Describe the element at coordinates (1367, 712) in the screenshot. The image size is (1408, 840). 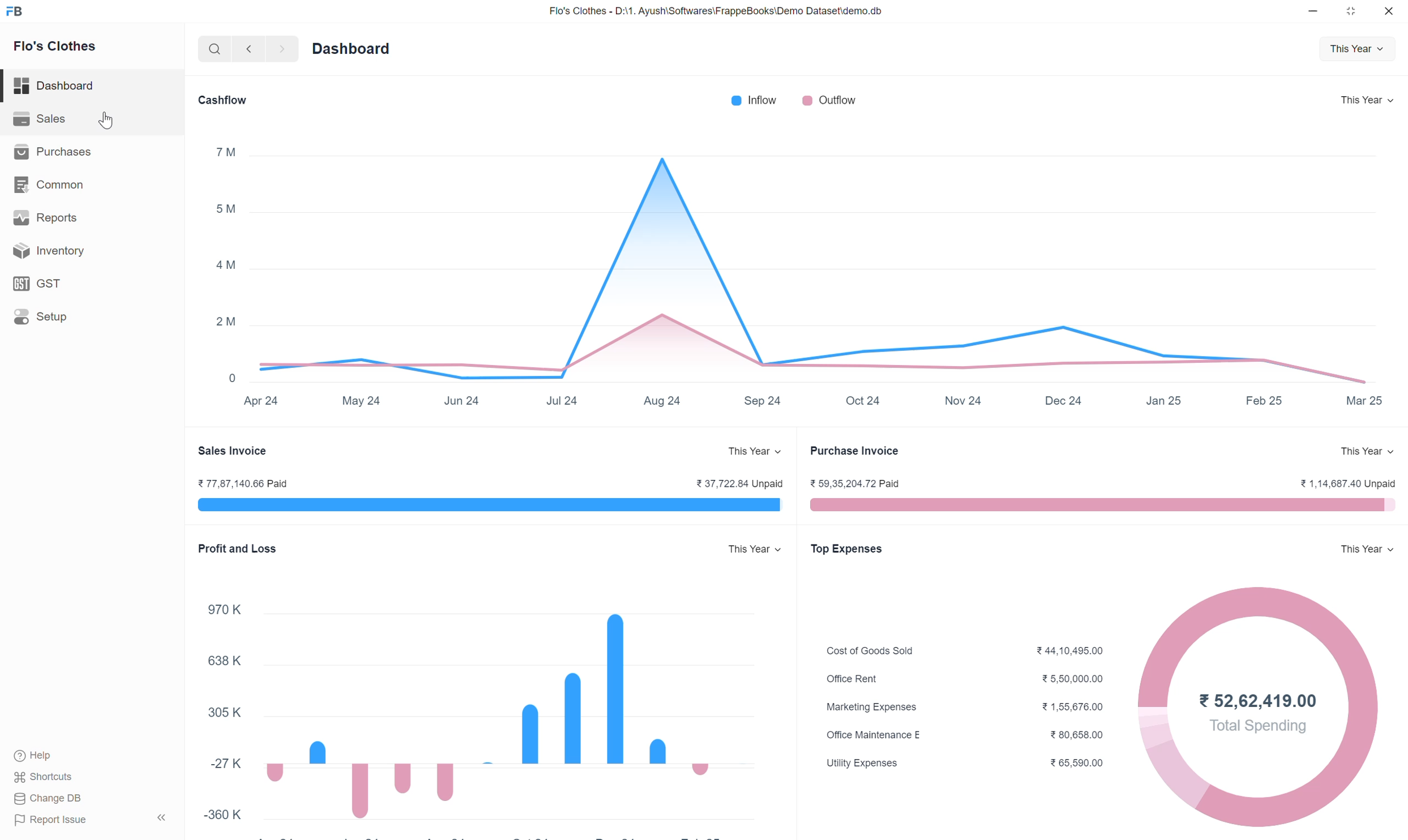
I see `donut chart` at that location.